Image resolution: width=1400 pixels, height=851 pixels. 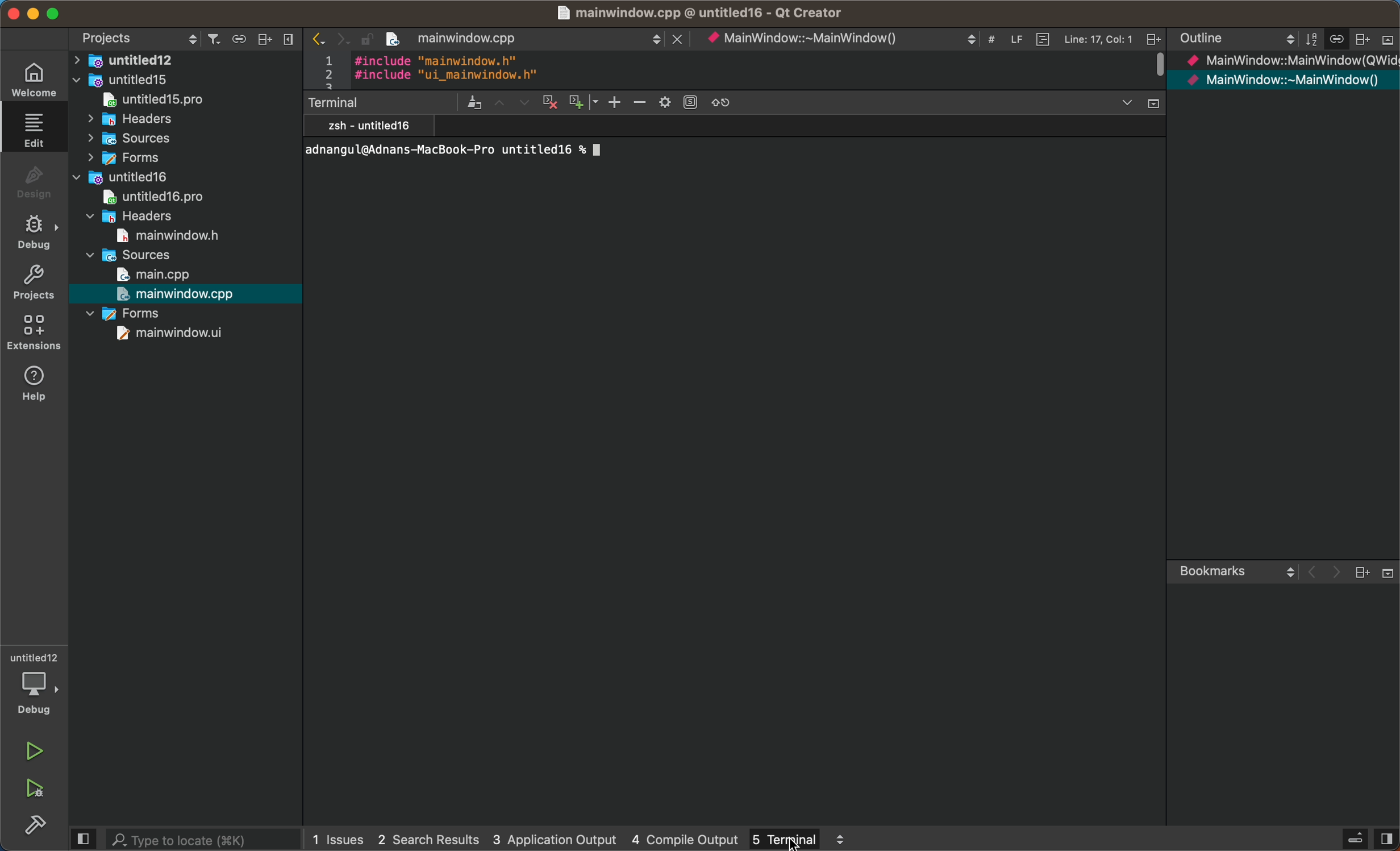 What do you see at coordinates (35, 179) in the screenshot?
I see `debug` at bounding box center [35, 179].